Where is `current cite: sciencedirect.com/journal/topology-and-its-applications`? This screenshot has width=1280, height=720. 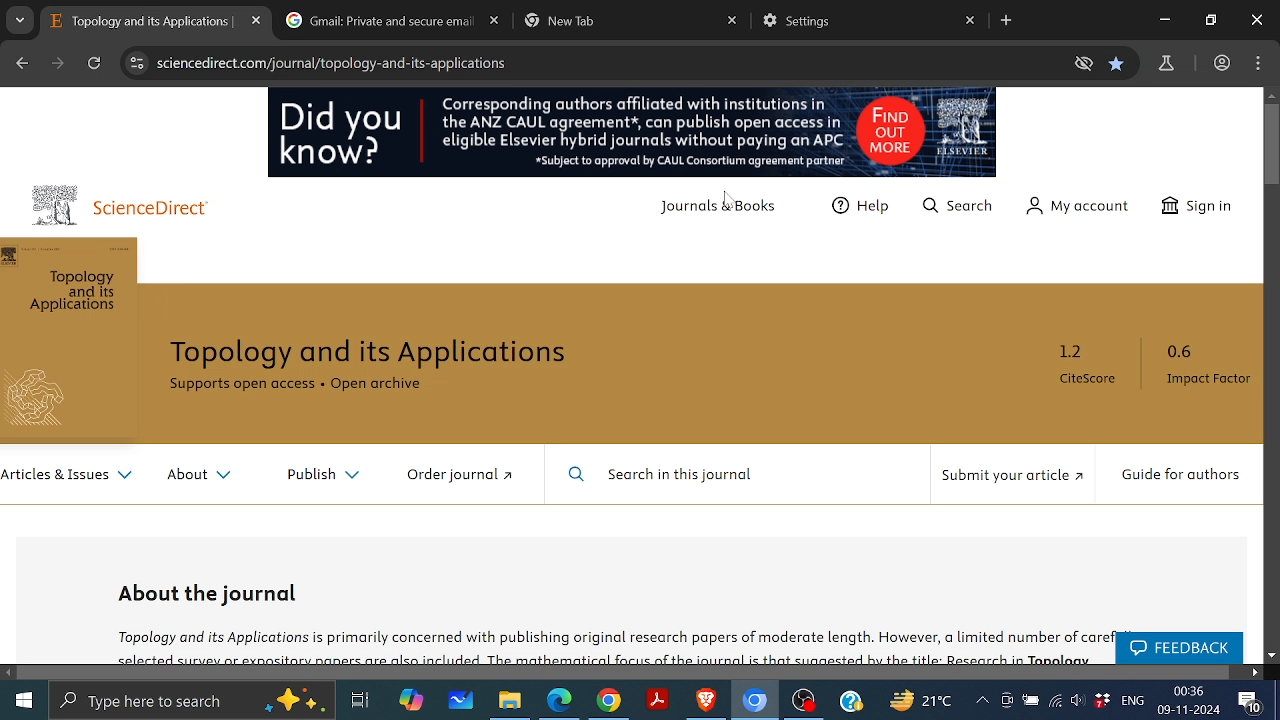
current cite: sciencedirect.com/journal/topology-and-its-applications is located at coordinates (330, 63).